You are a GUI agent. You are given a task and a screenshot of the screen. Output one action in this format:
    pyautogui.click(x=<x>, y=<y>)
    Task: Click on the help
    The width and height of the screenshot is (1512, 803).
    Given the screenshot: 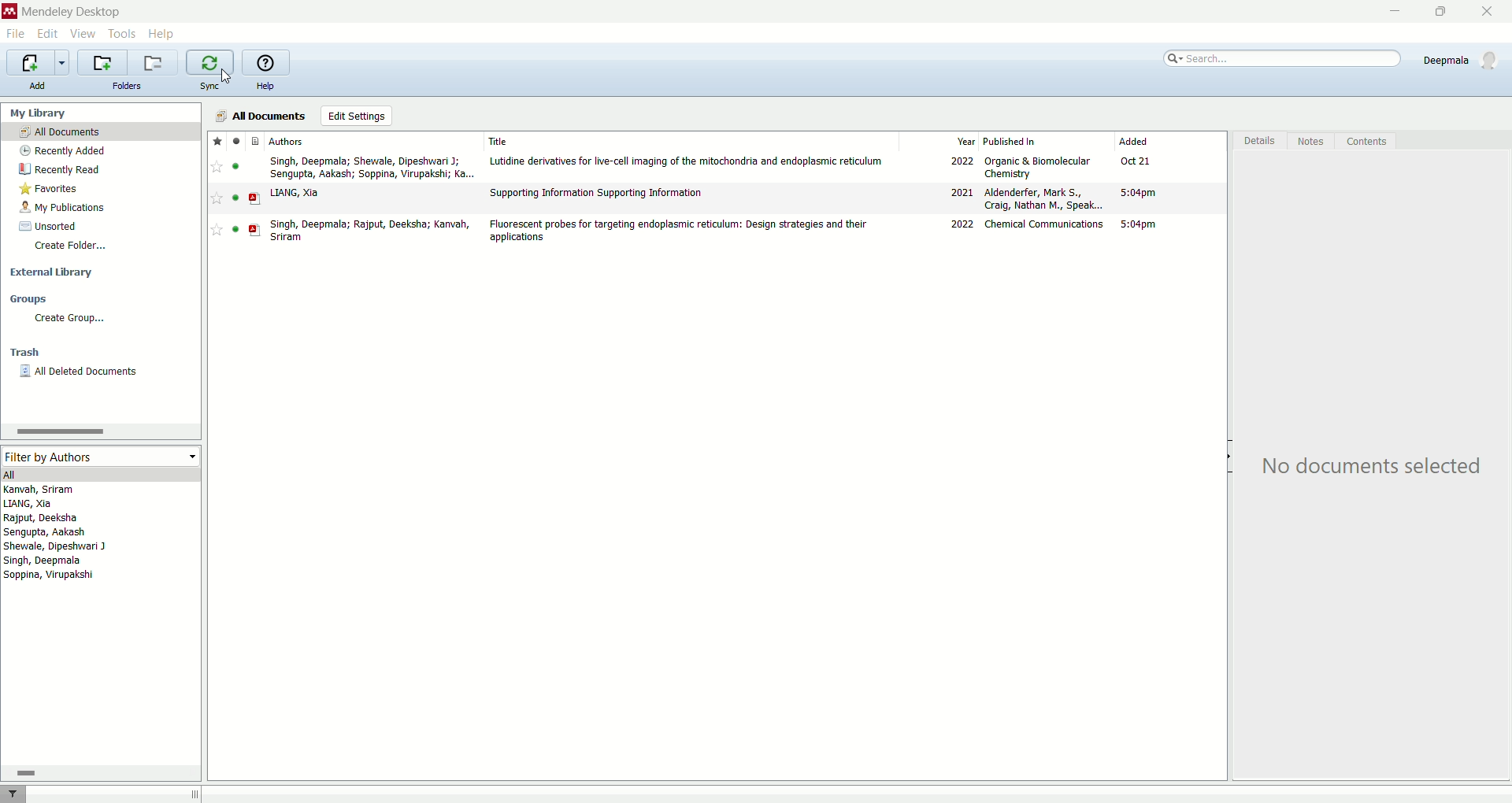 What is the action you would take?
    pyautogui.click(x=269, y=86)
    